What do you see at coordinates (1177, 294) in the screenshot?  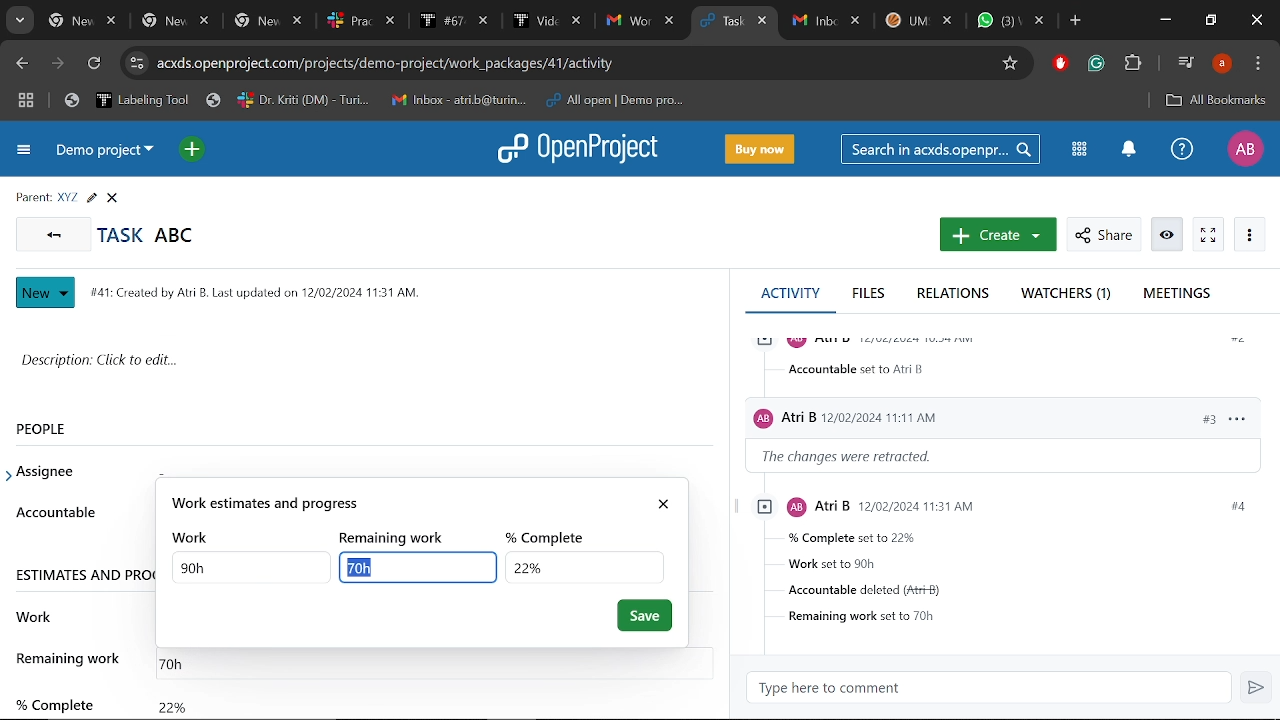 I see `Meetings` at bounding box center [1177, 294].